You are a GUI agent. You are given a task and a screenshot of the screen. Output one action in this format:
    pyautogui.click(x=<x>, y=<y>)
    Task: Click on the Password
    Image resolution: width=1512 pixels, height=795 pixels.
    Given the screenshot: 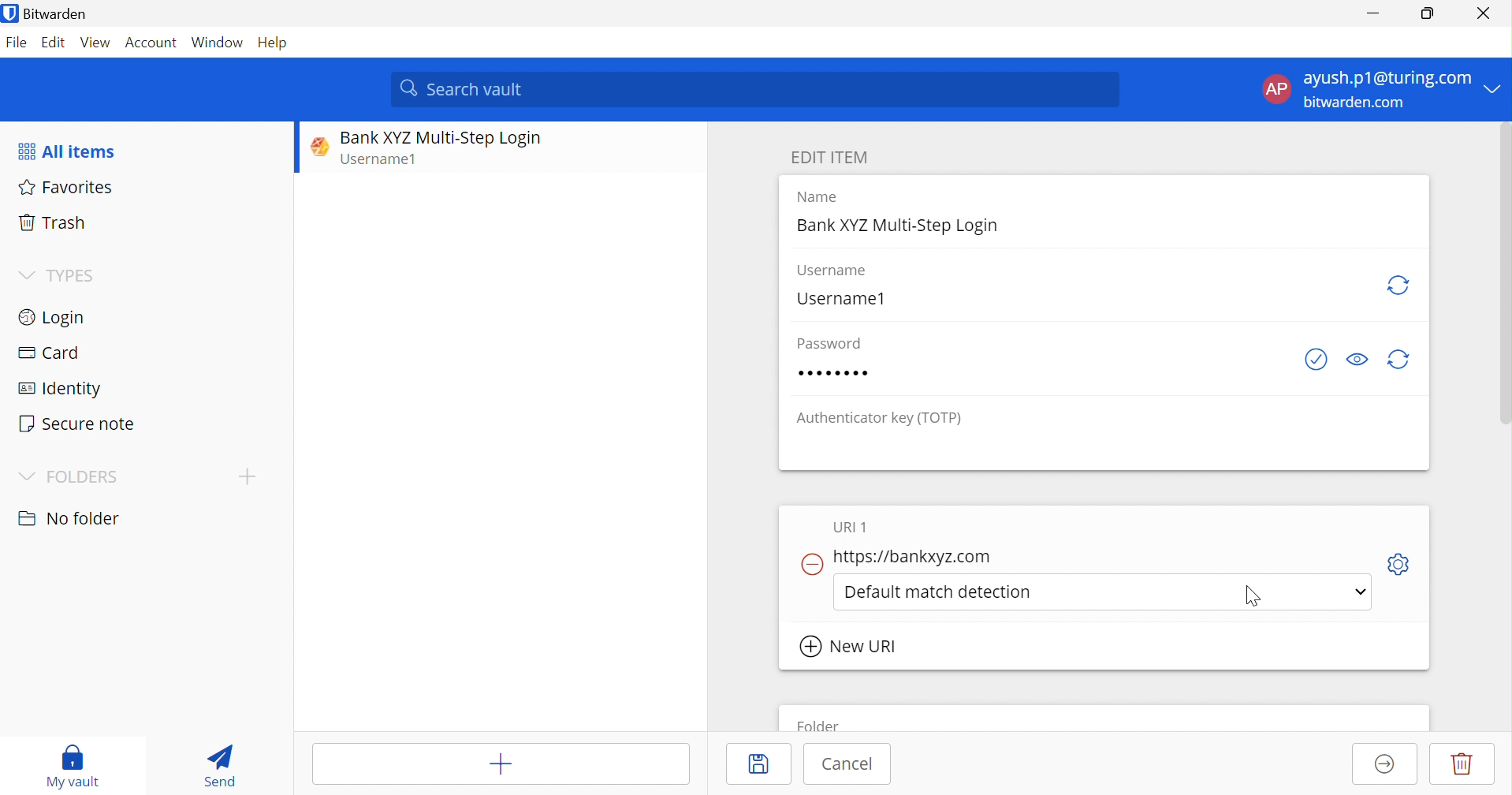 What is the action you would take?
    pyautogui.click(x=832, y=344)
    